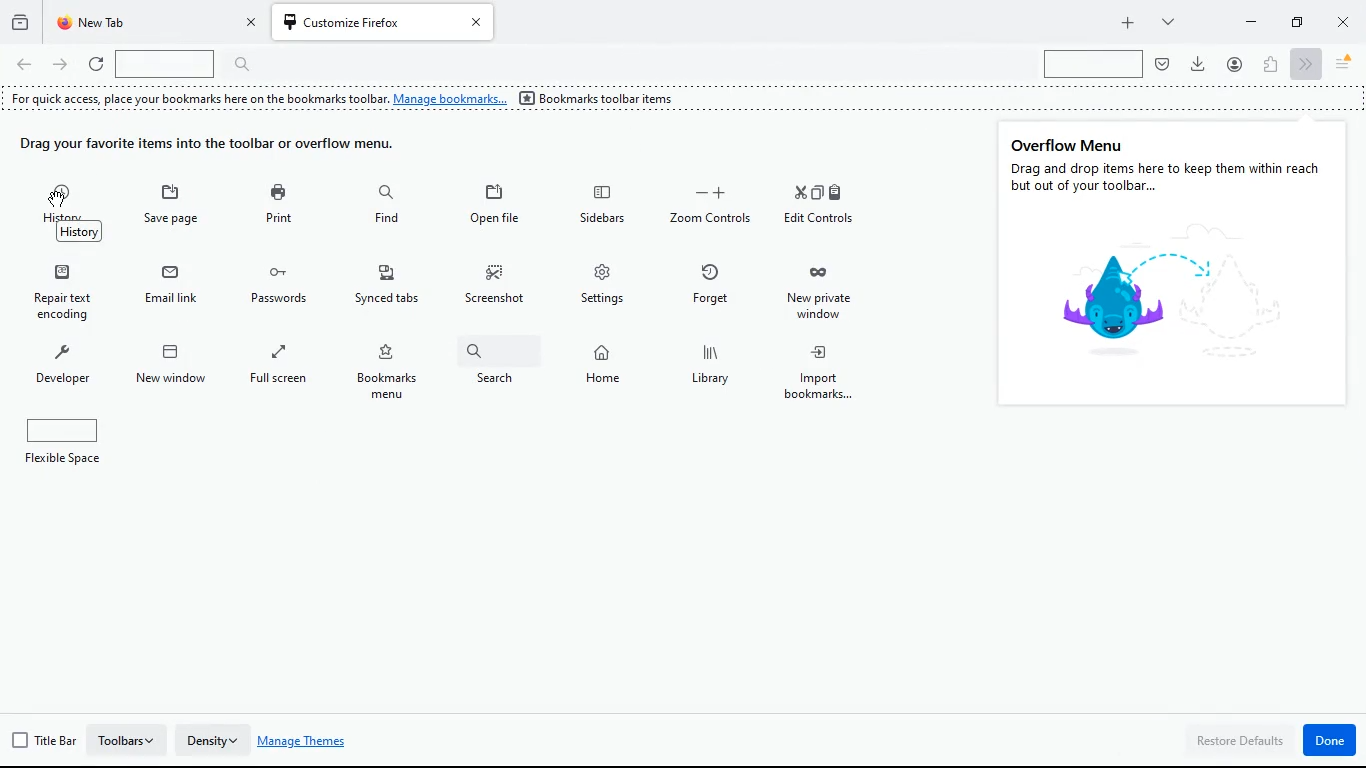 The image size is (1366, 768). I want to click on forward, so click(62, 67).